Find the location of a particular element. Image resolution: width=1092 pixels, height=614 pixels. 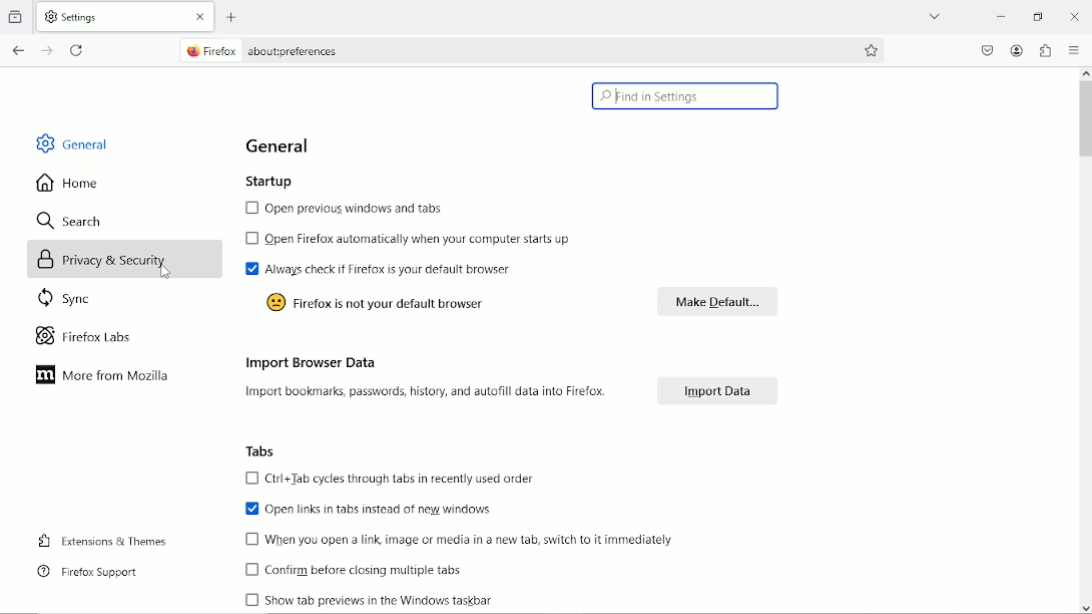

close is located at coordinates (202, 17).